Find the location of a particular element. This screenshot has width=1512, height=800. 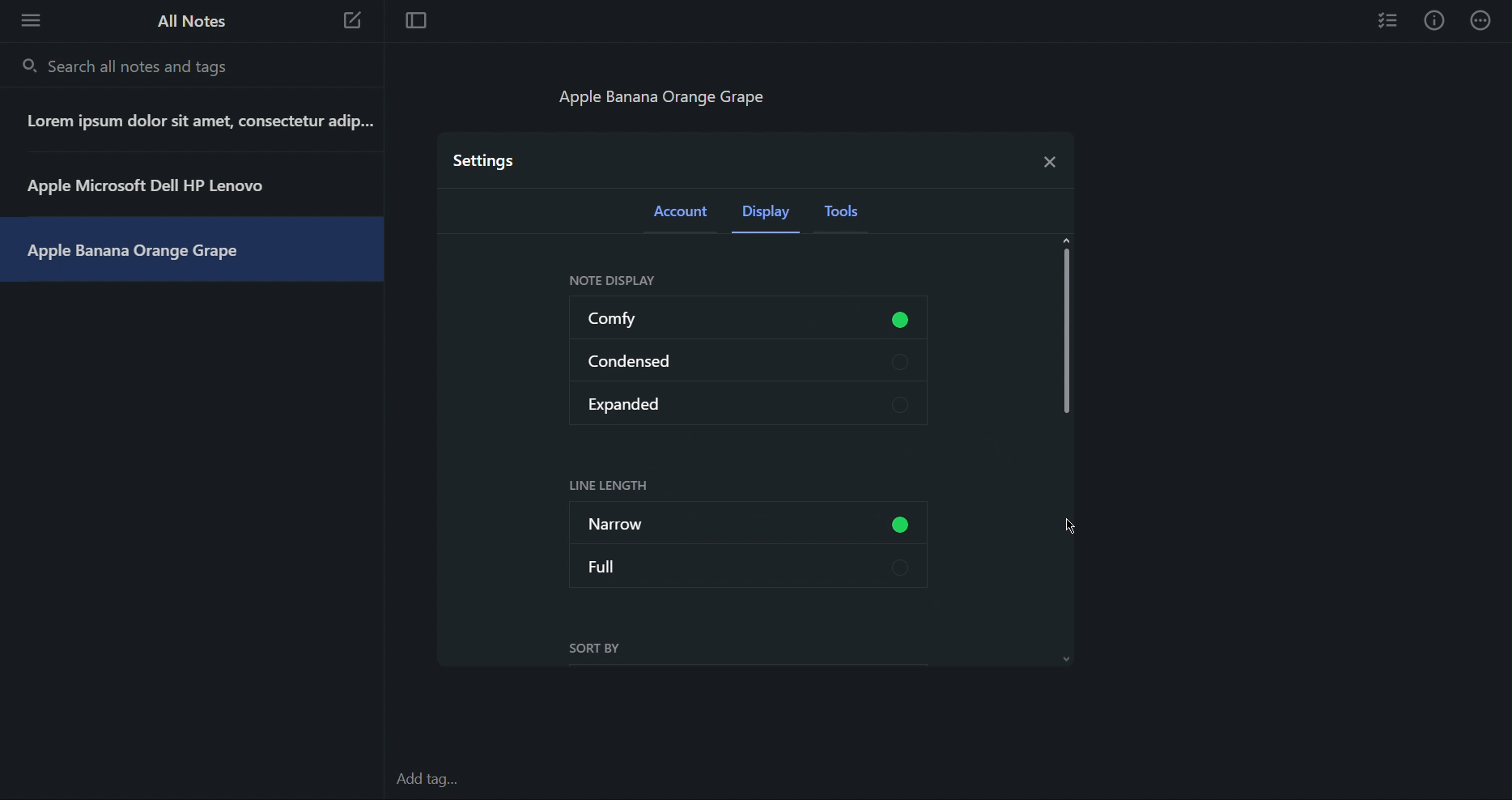

Condensed is located at coordinates (750, 362).